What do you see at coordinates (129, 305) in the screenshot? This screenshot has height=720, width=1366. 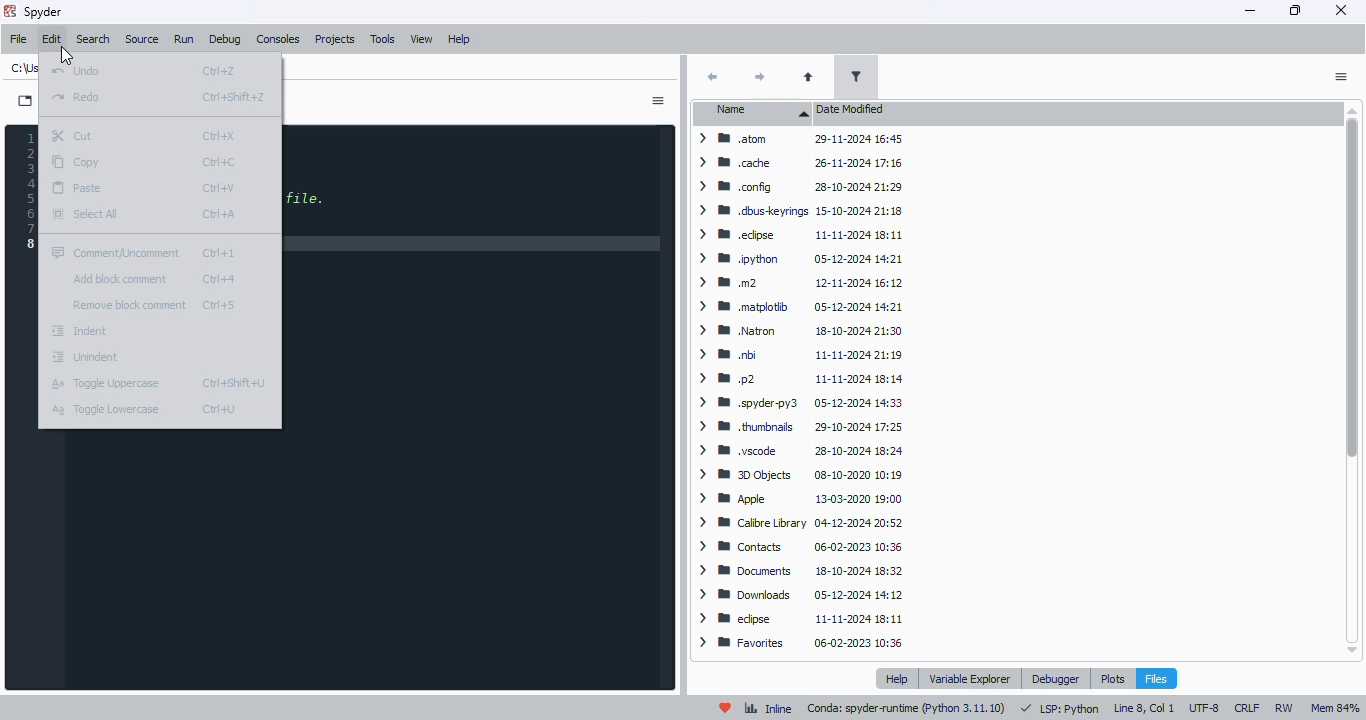 I see `remove block comment` at bounding box center [129, 305].